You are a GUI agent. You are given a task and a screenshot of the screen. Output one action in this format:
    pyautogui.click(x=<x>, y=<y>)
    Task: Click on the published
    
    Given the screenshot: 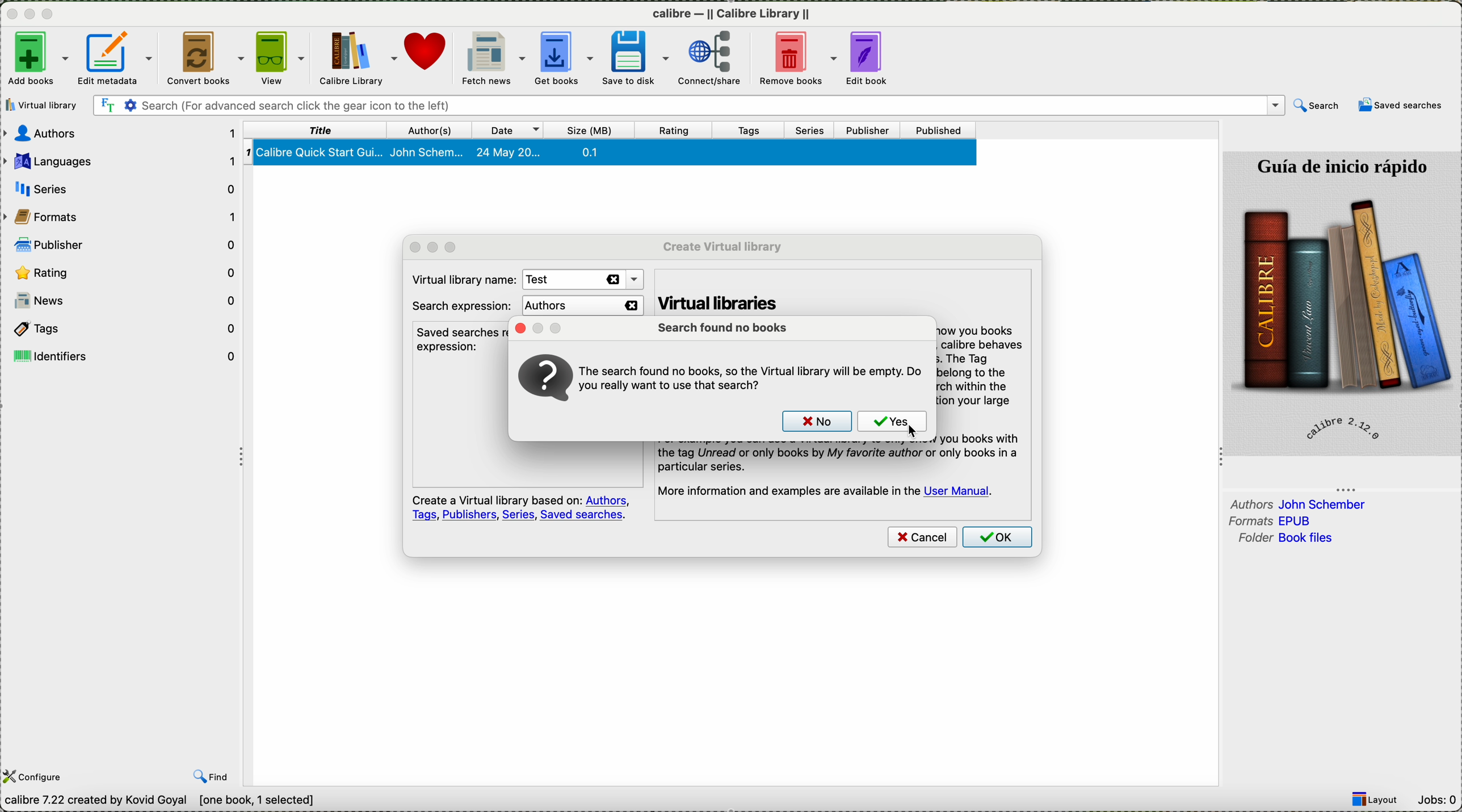 What is the action you would take?
    pyautogui.click(x=940, y=130)
    